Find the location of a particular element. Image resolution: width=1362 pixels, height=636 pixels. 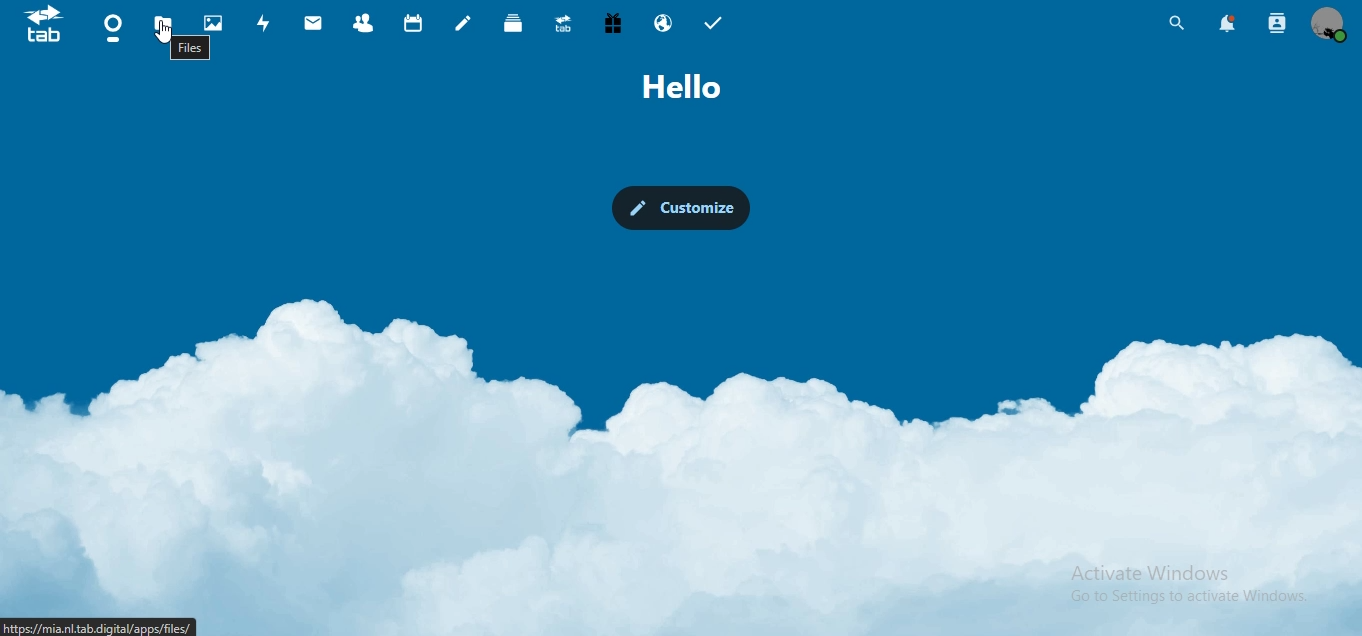

search contacts is located at coordinates (1277, 23).